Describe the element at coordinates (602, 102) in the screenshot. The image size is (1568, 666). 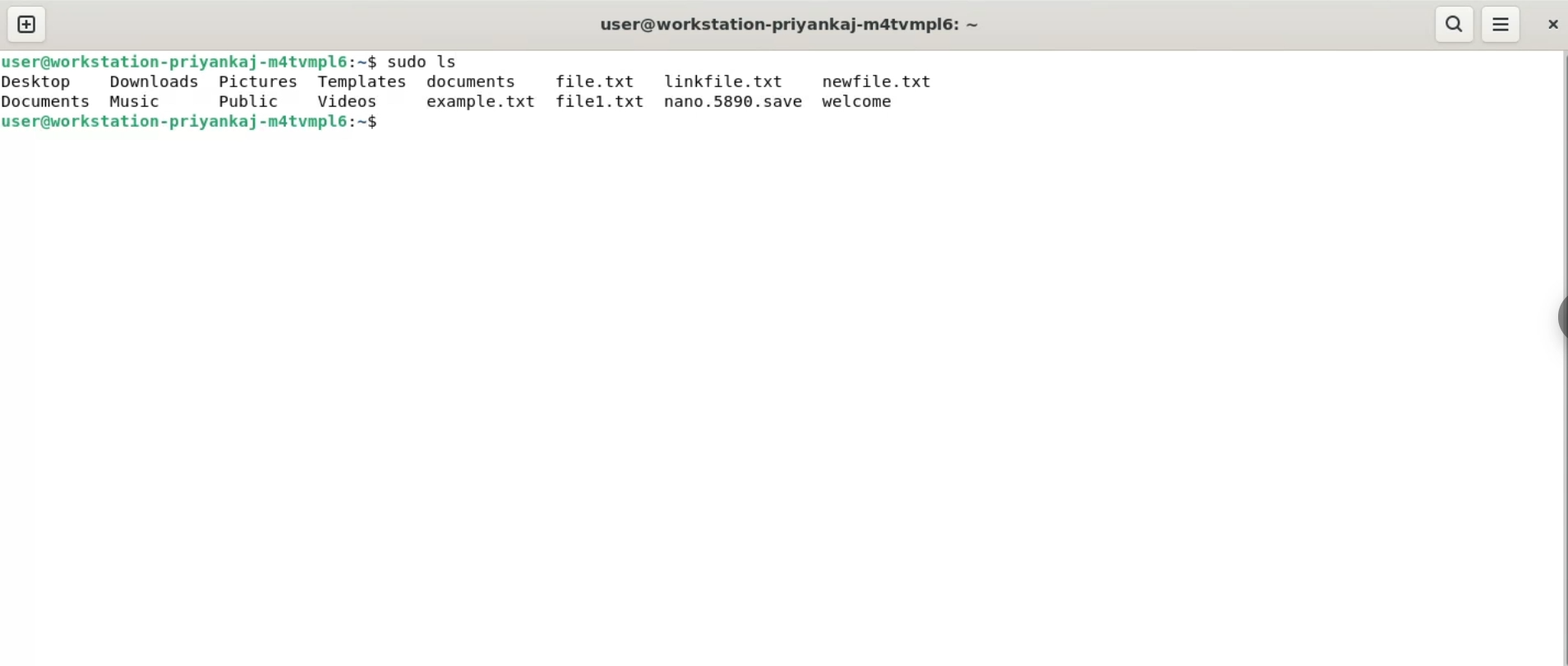
I see `file1` at that location.